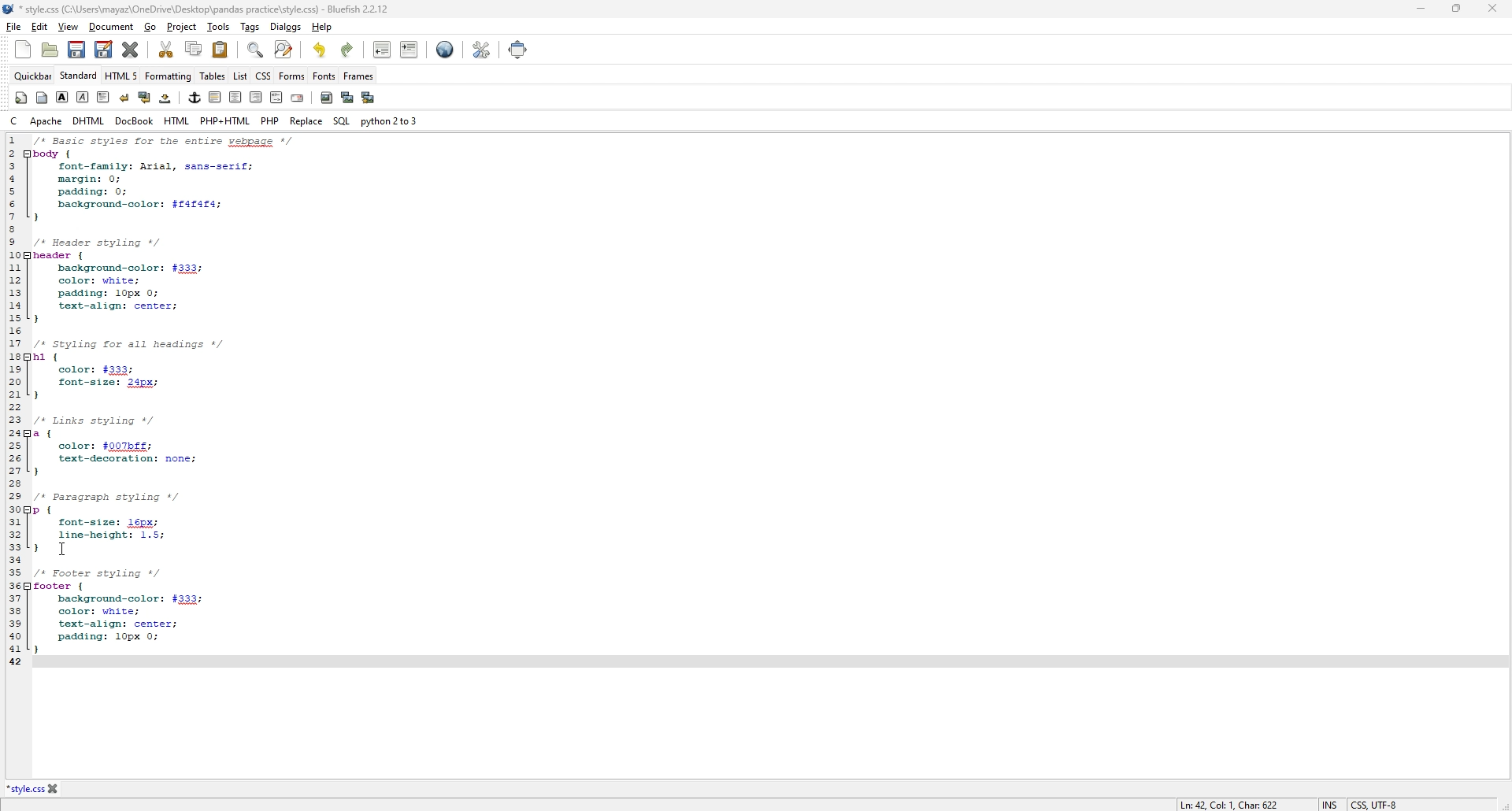 The width and height of the screenshot is (1512, 811). I want to click on project, so click(182, 27).